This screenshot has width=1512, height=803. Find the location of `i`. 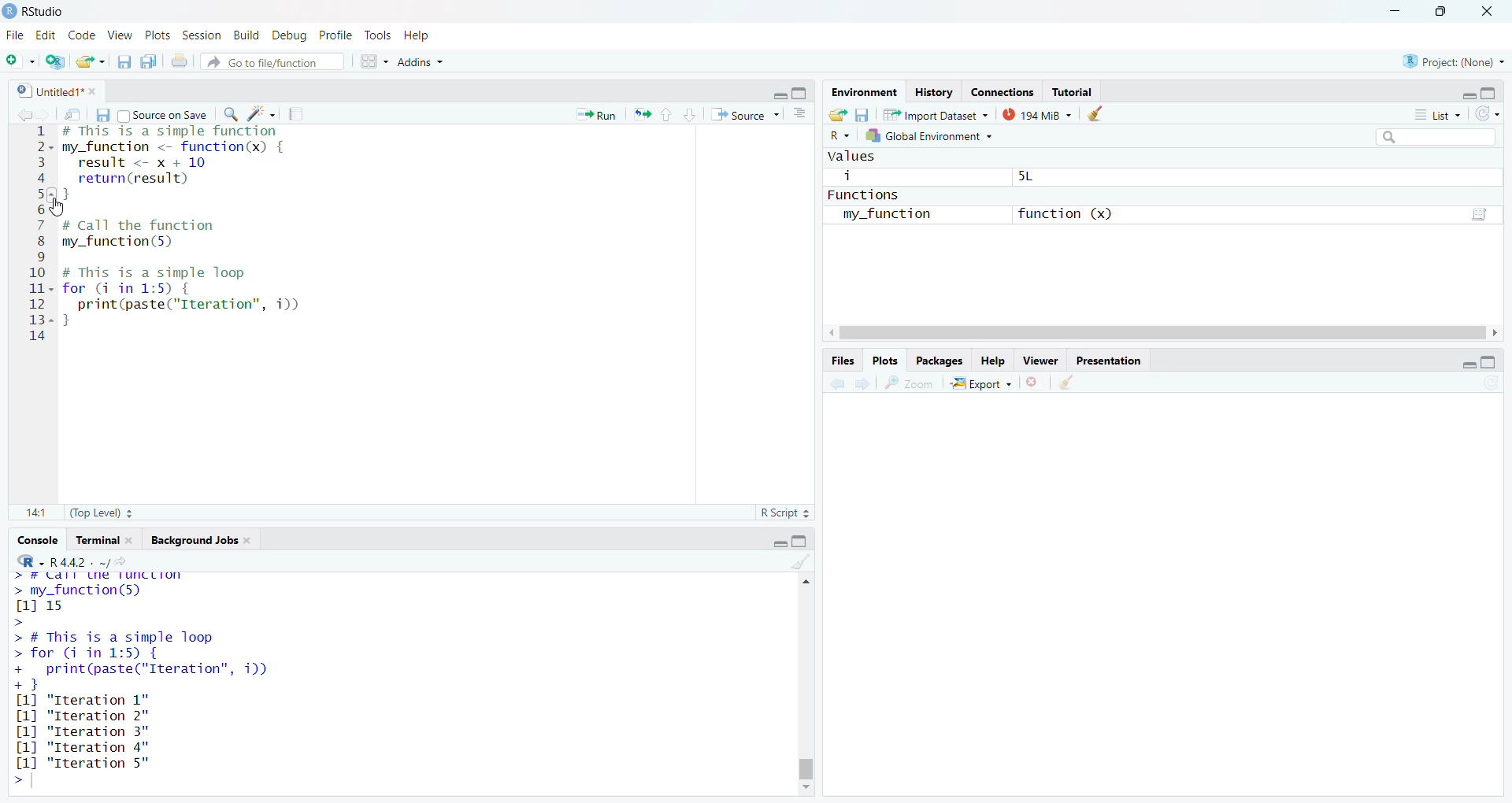

i is located at coordinates (850, 176).